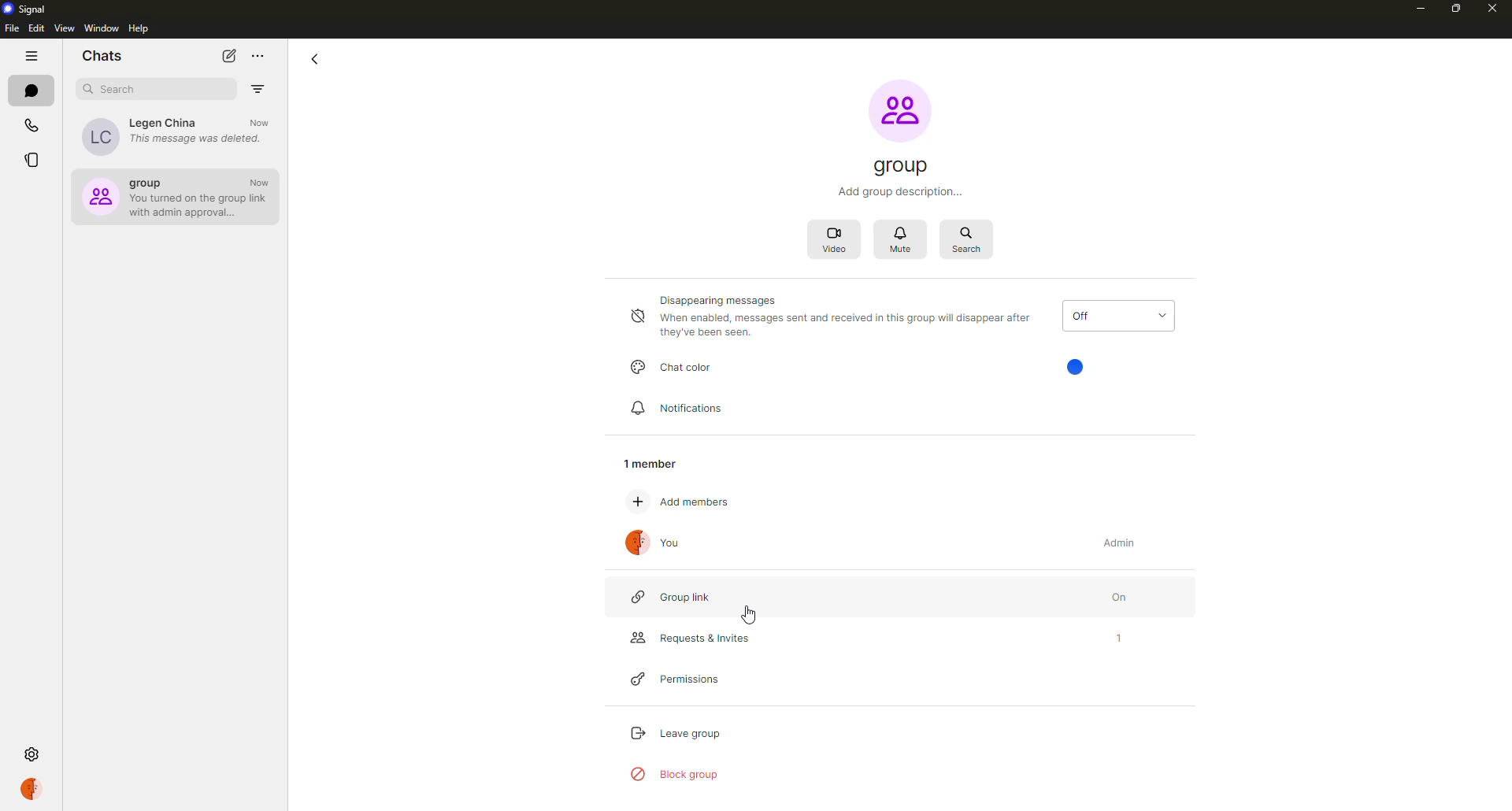 This screenshot has height=811, width=1512. I want to click on help, so click(141, 29).